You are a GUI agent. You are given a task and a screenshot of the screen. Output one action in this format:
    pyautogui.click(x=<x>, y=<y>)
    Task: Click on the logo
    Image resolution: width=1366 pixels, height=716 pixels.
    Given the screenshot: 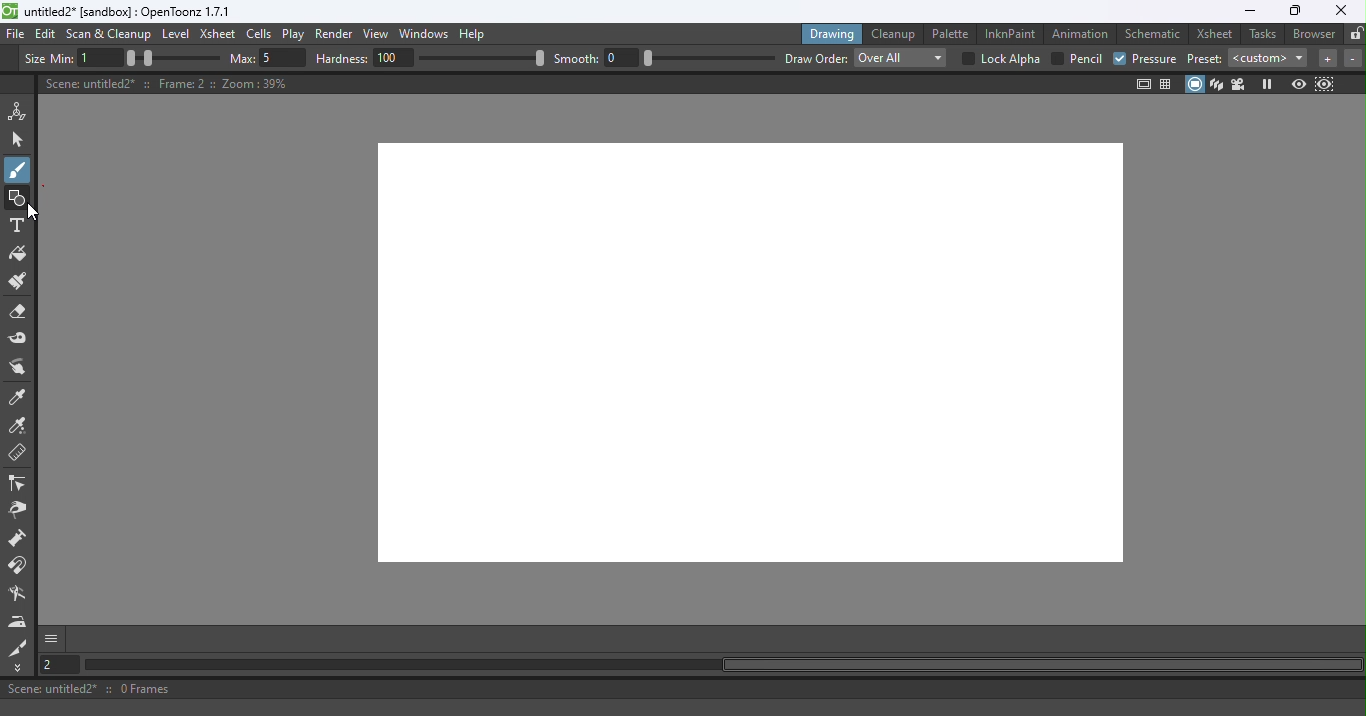 What is the action you would take?
    pyautogui.click(x=10, y=11)
    